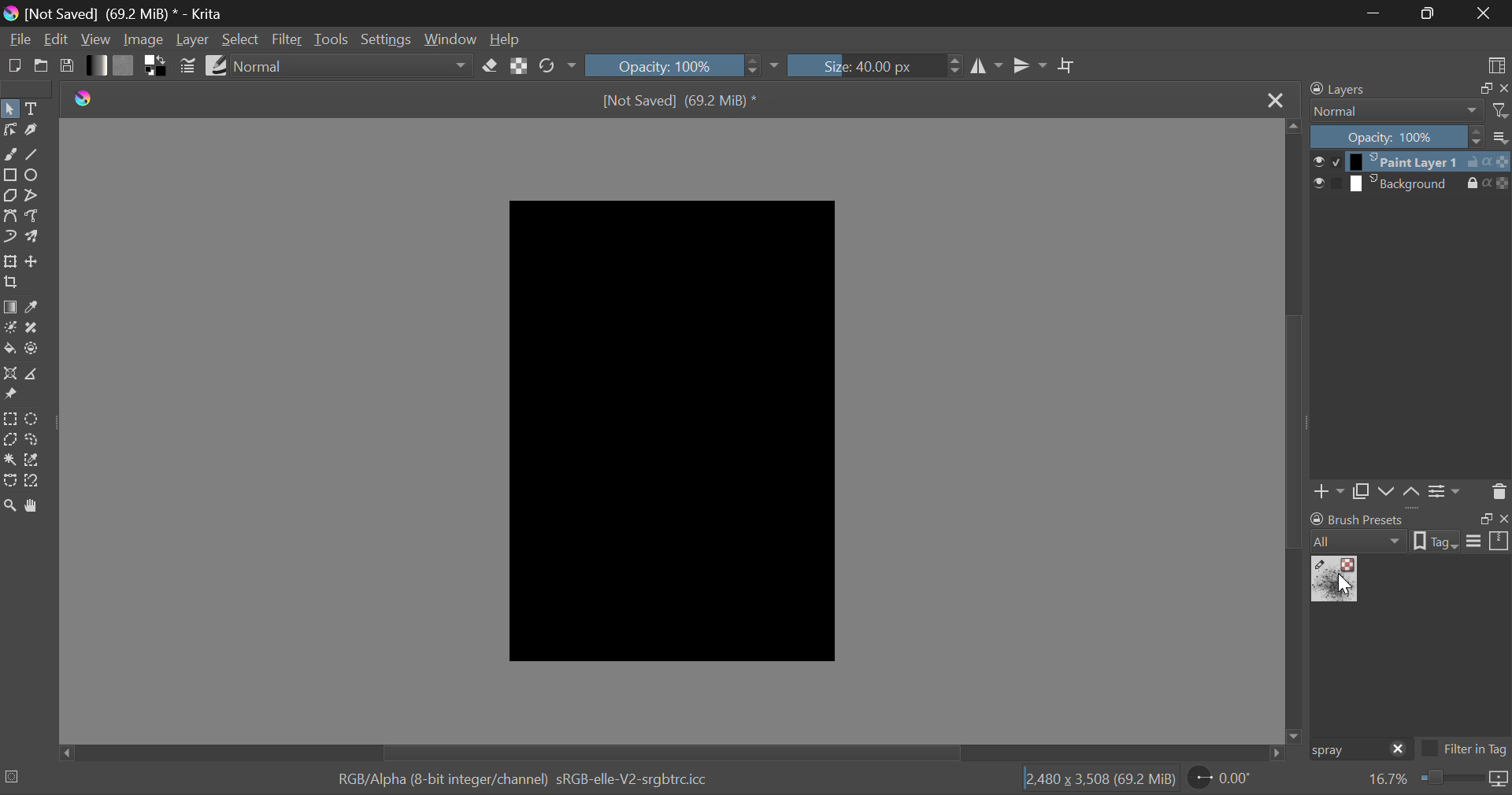  Describe the element at coordinates (1501, 109) in the screenshot. I see `filters icon` at that location.